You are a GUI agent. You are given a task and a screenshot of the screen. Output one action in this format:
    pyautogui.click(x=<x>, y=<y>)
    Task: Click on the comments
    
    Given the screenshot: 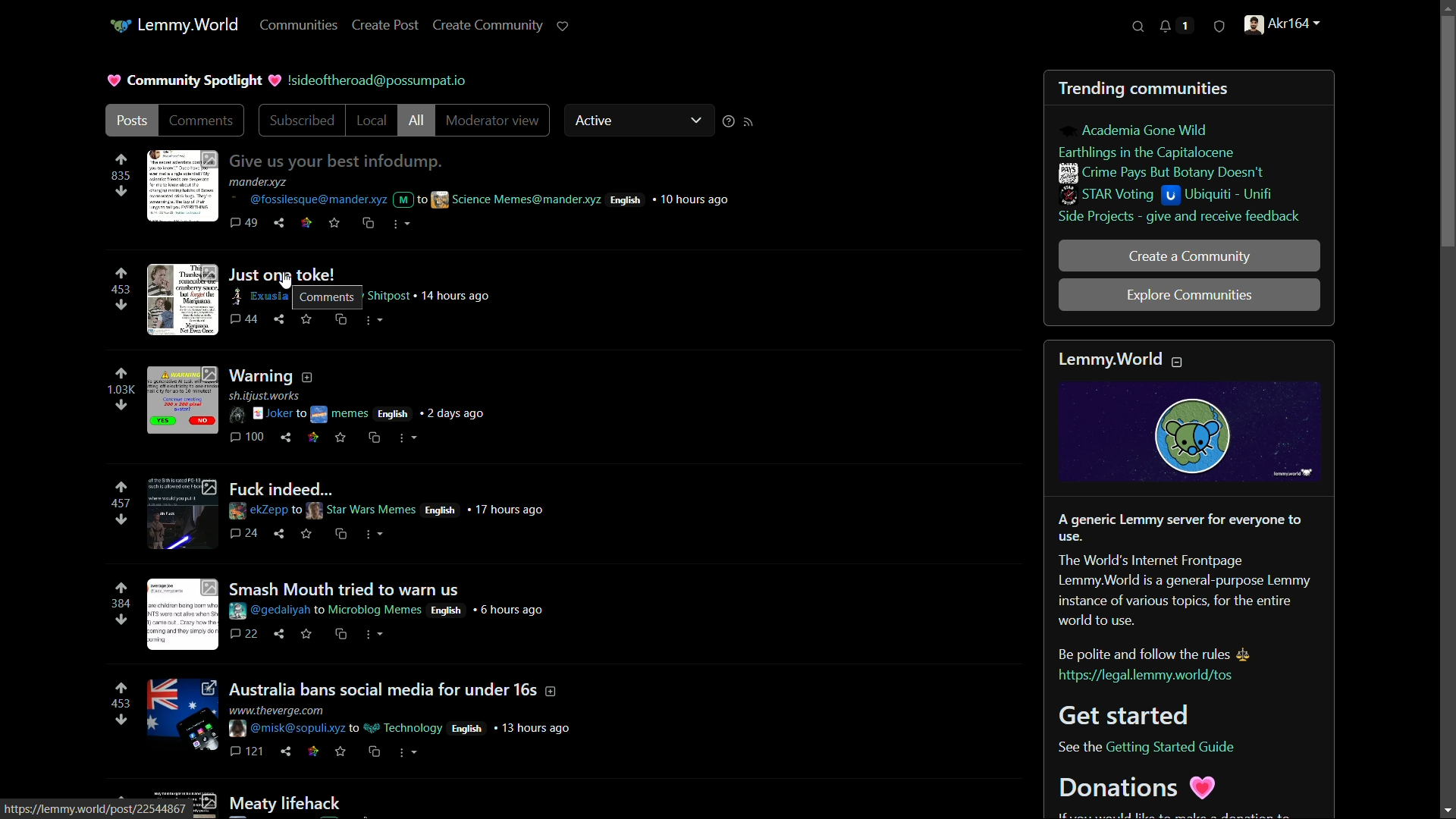 What is the action you would take?
    pyautogui.click(x=202, y=121)
    